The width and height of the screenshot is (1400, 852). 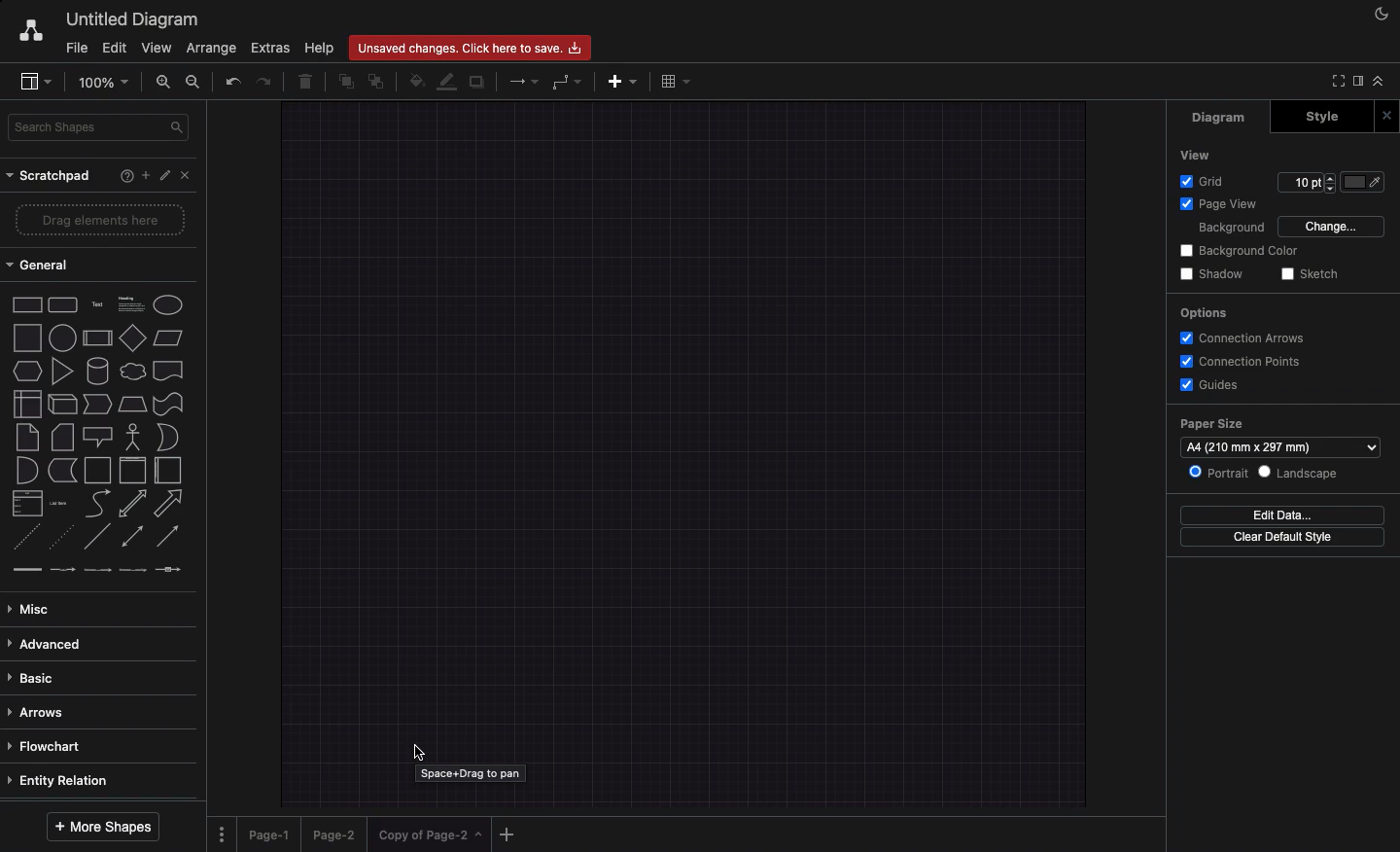 What do you see at coordinates (1282, 446) in the screenshot?
I see `a4 (210 mmx297 mm) ` at bounding box center [1282, 446].